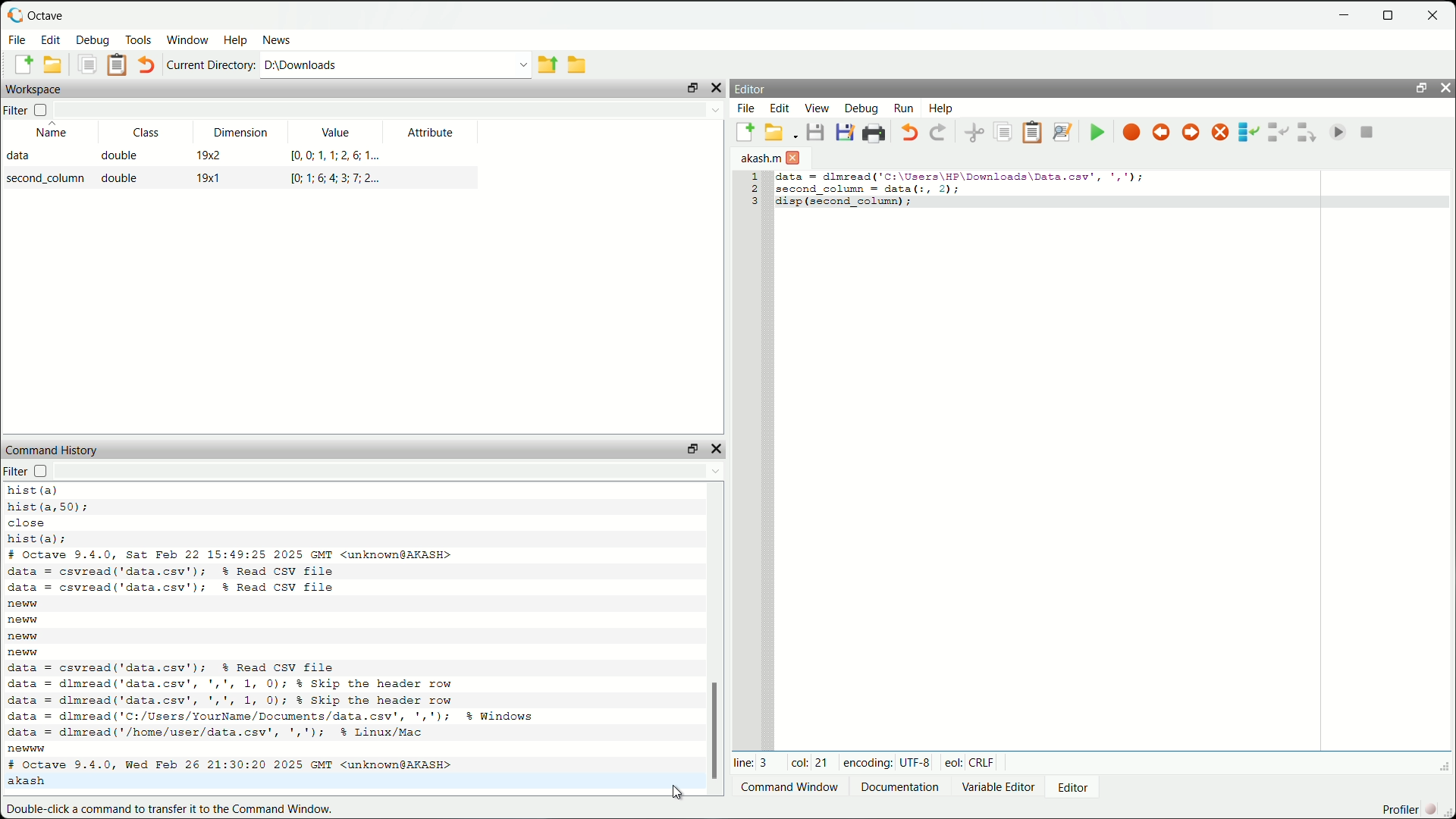 This screenshot has height=819, width=1456. I want to click on filter, so click(31, 470).